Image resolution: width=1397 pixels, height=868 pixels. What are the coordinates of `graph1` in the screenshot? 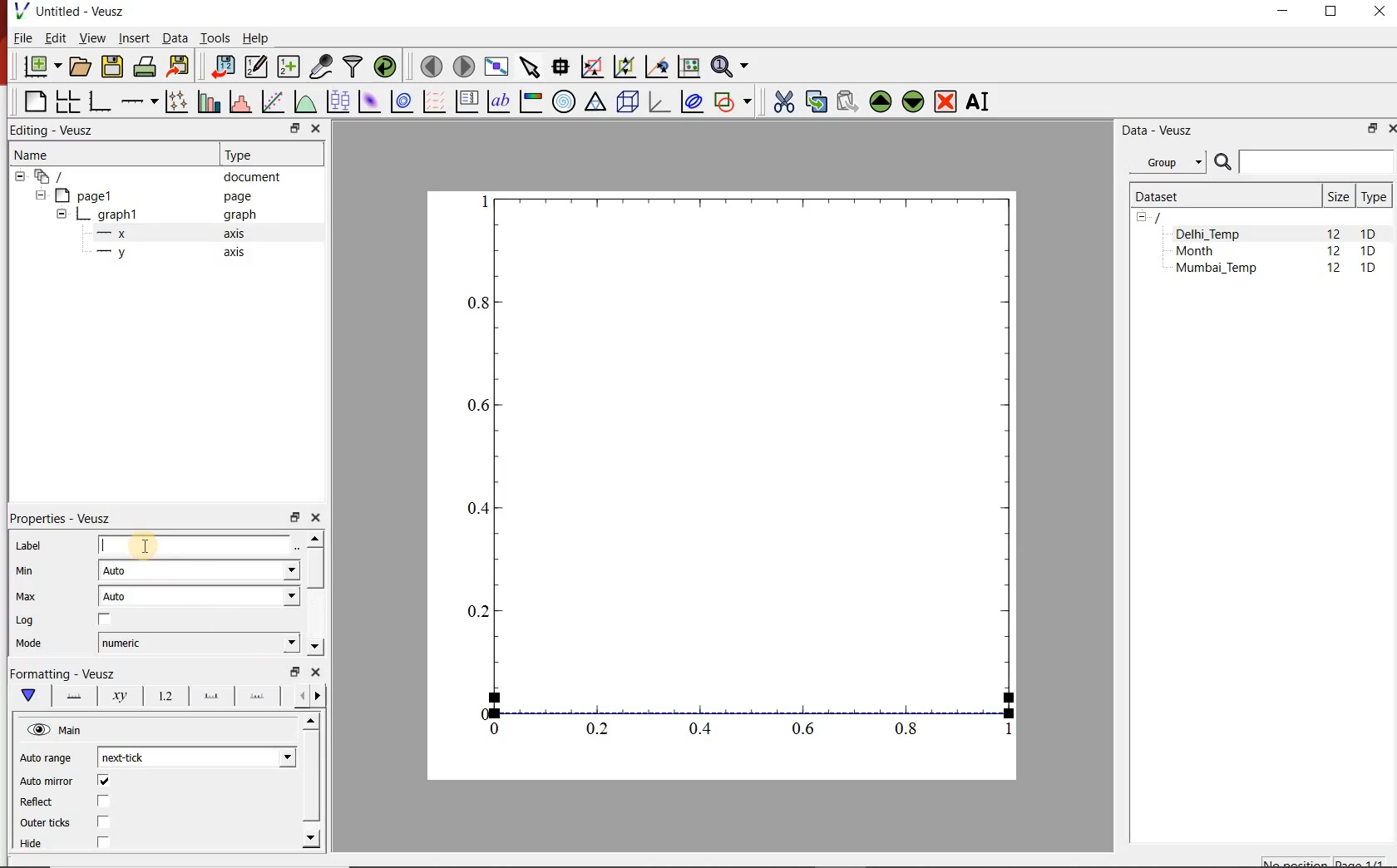 It's located at (741, 474).